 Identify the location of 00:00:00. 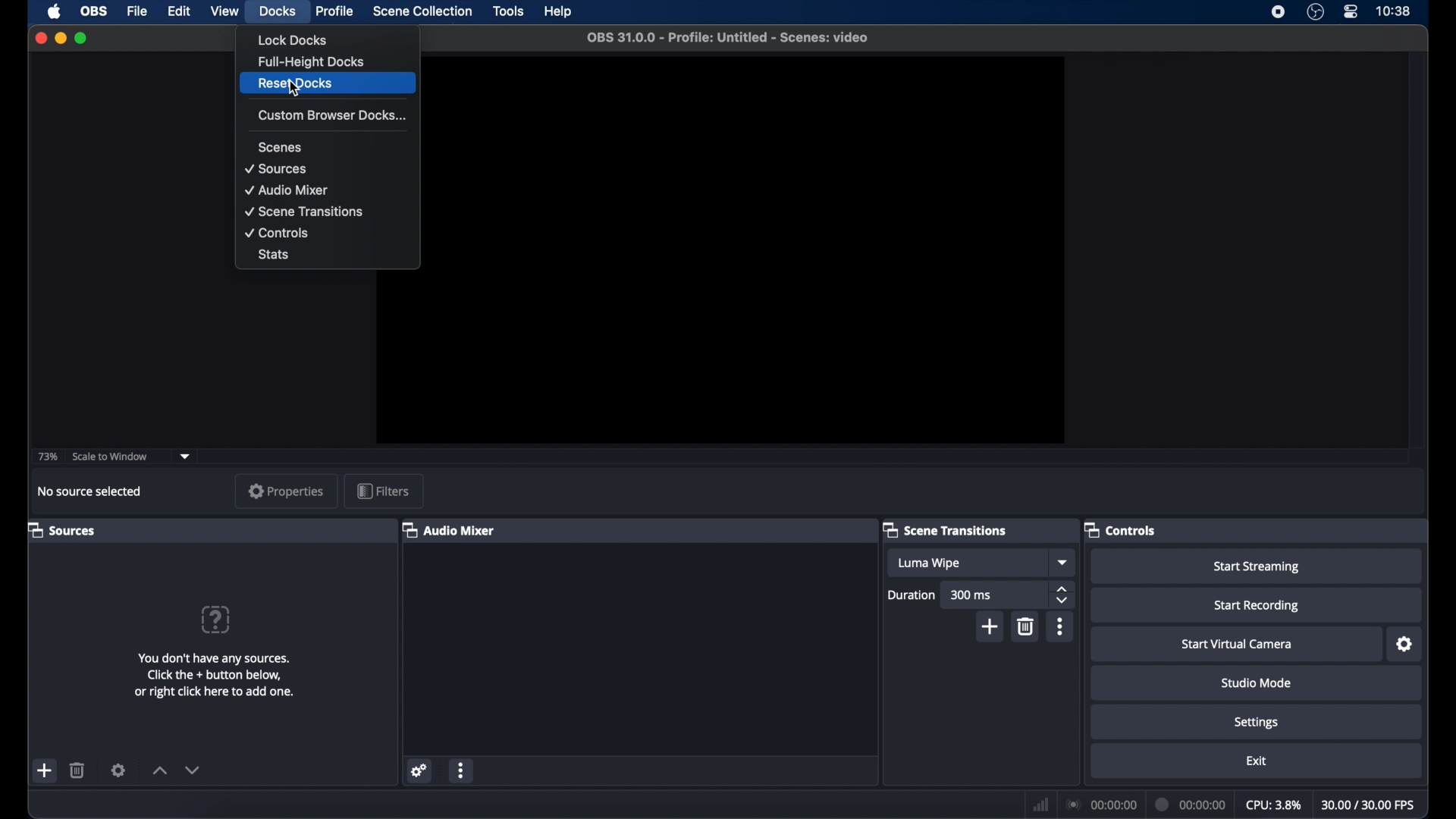
(1191, 804).